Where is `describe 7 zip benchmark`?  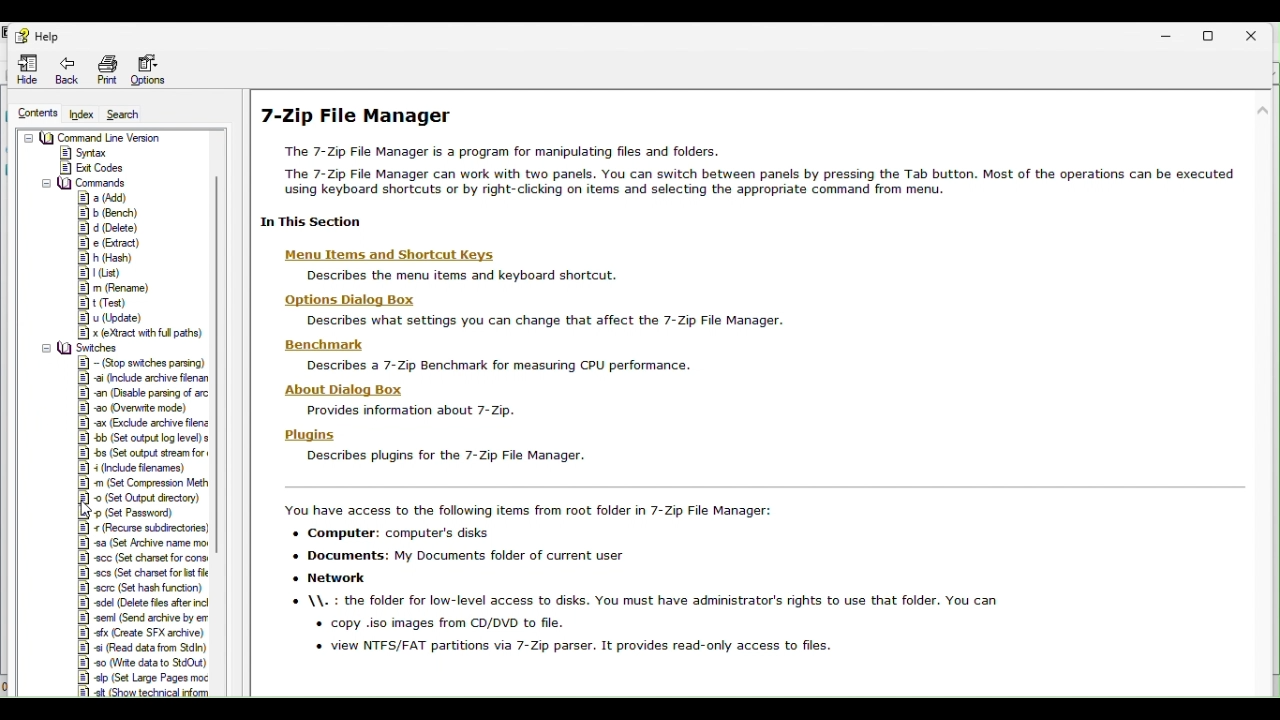
describe 7 zip benchmark is located at coordinates (500, 366).